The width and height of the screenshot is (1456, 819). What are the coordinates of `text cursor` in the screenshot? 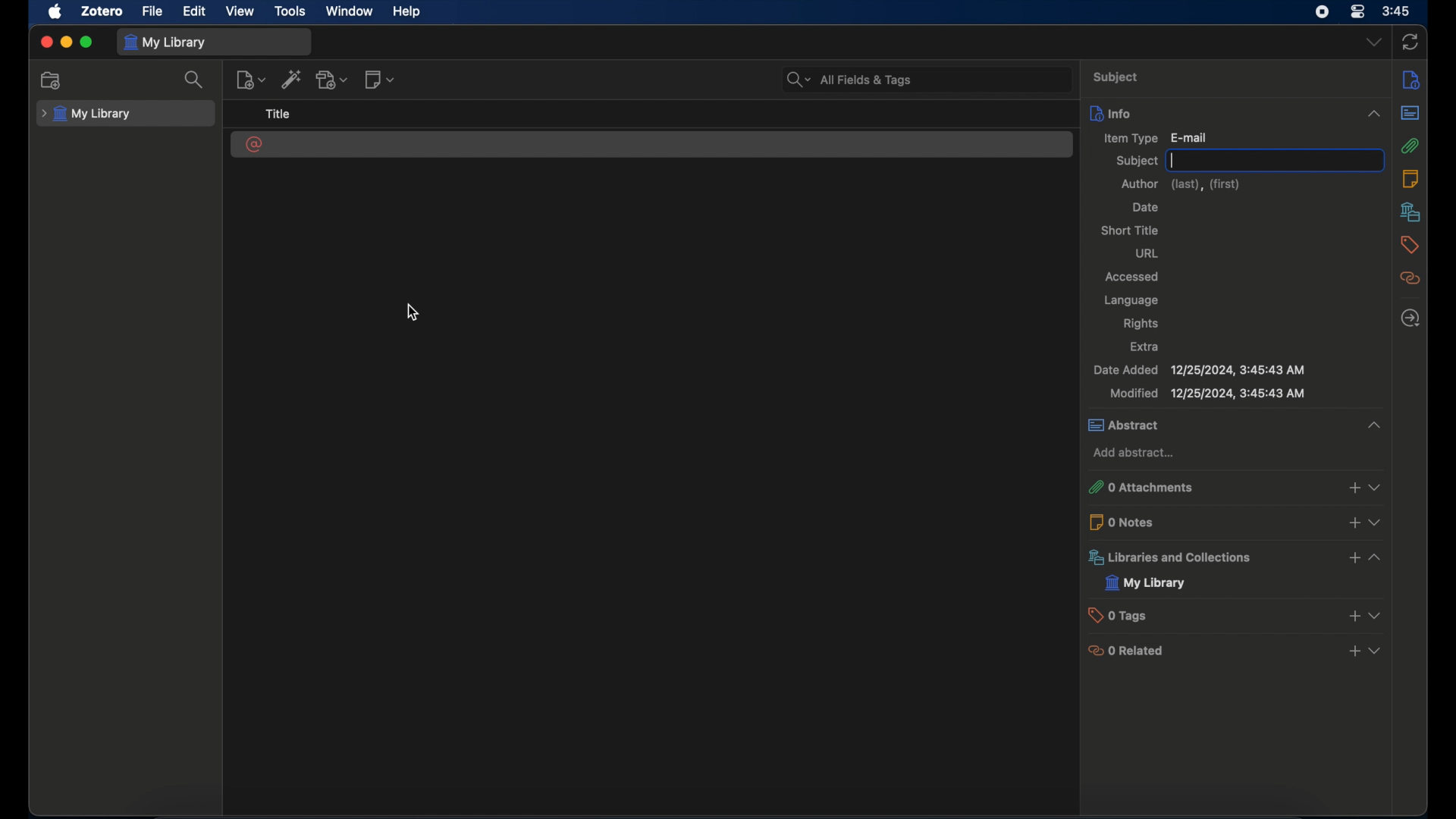 It's located at (1172, 160).